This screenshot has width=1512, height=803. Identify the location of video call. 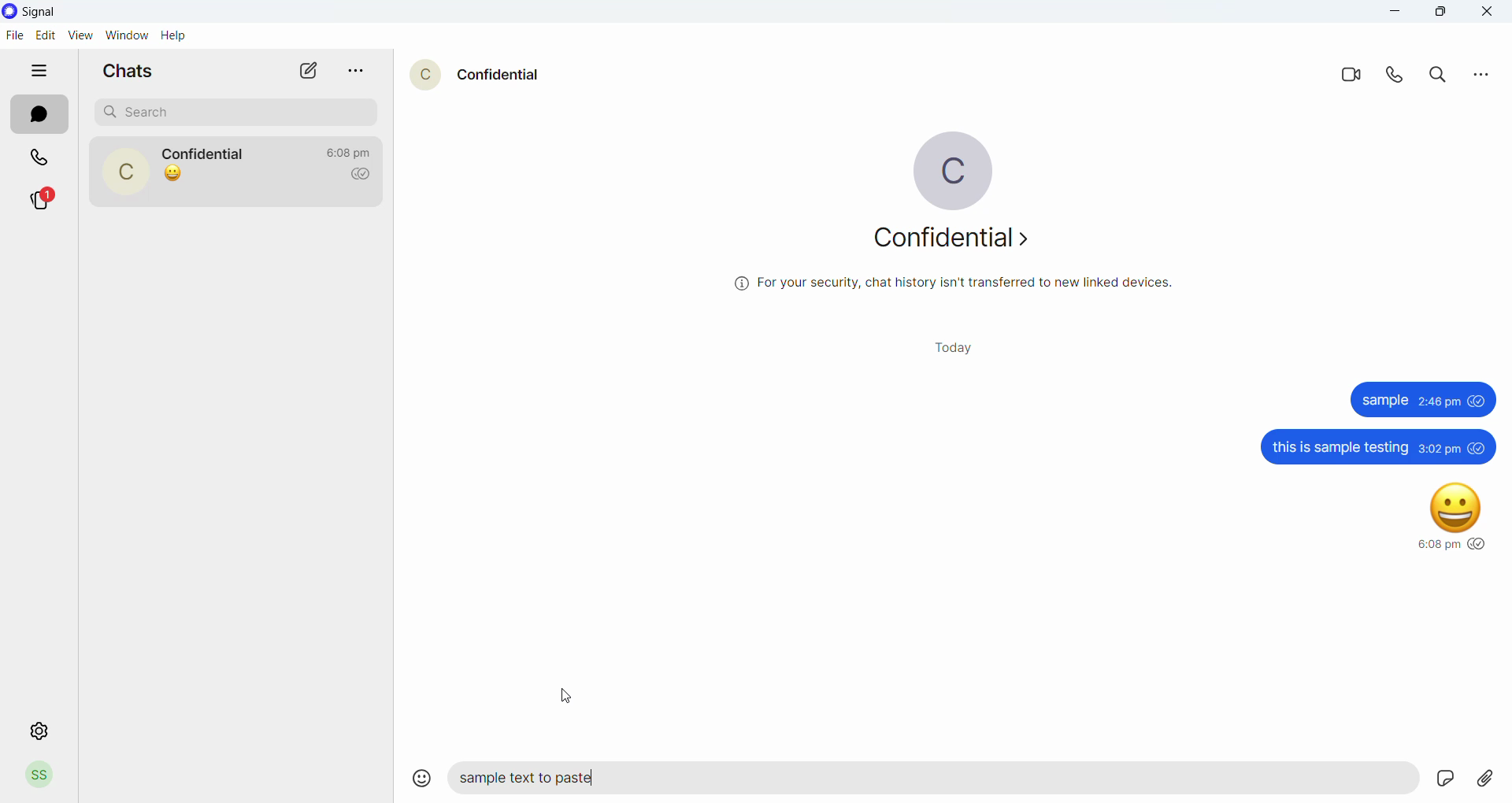
(1357, 78).